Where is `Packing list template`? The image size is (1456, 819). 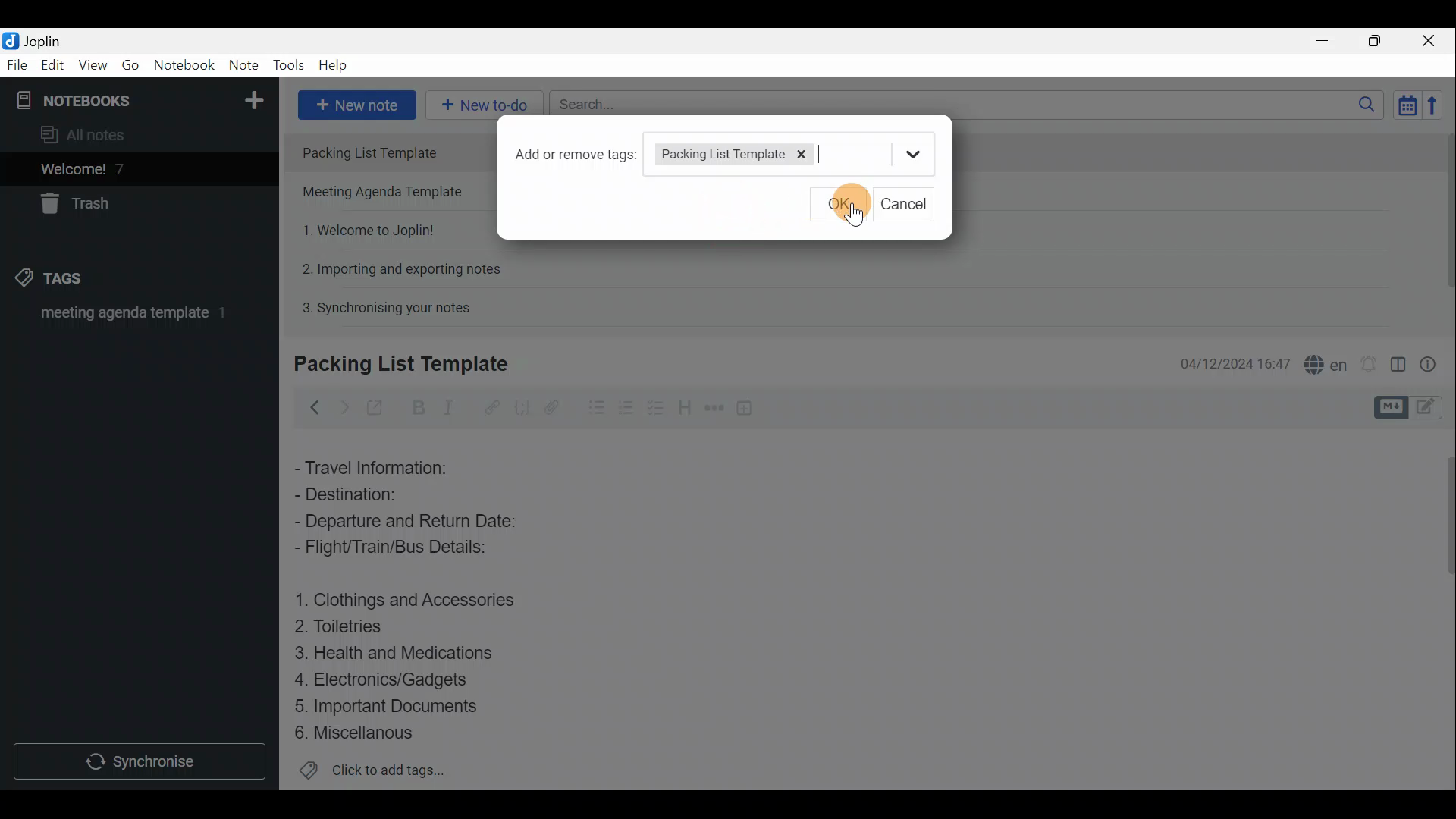 Packing list template is located at coordinates (757, 152).